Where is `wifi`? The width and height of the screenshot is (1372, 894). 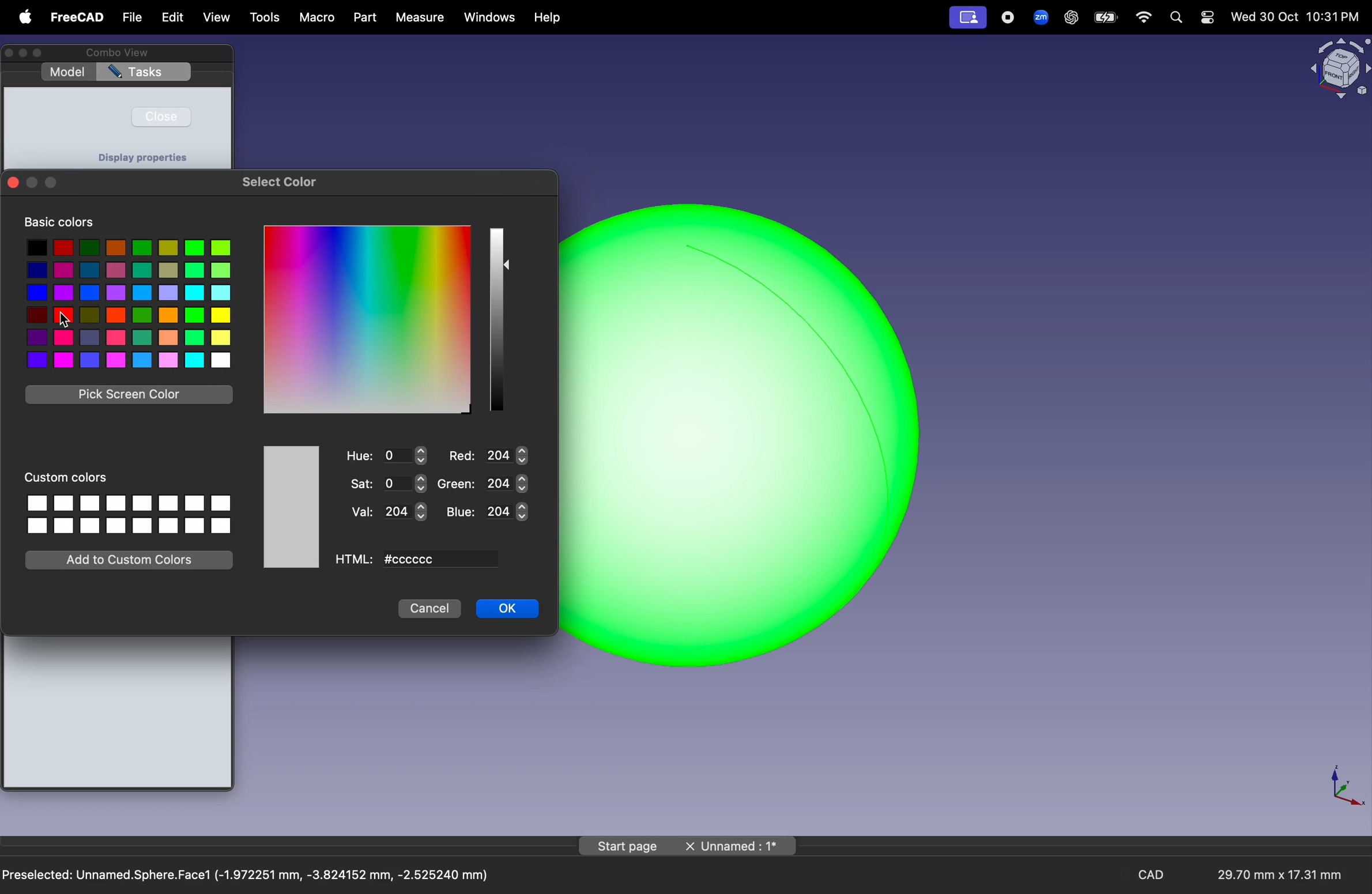 wifi is located at coordinates (1144, 17).